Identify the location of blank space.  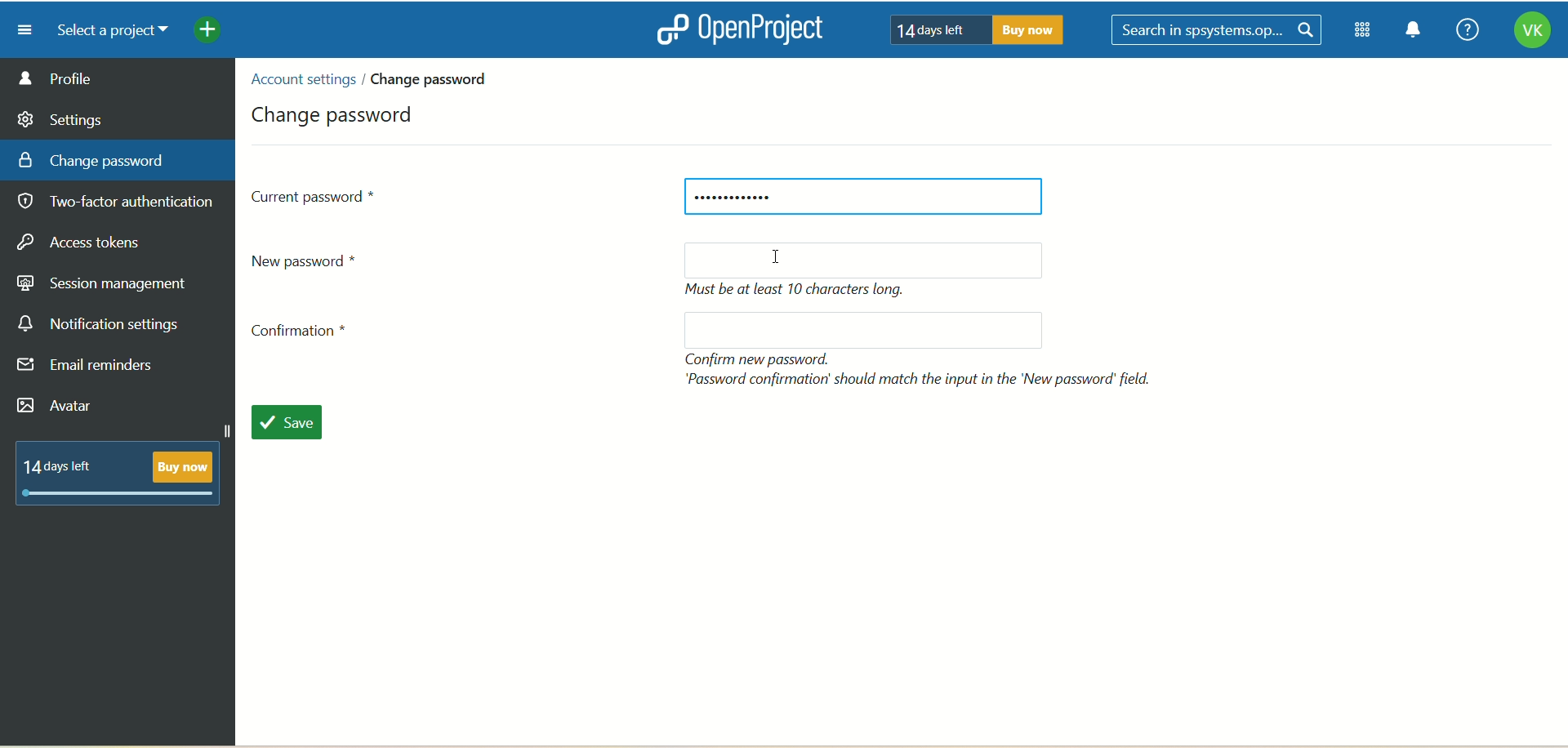
(855, 330).